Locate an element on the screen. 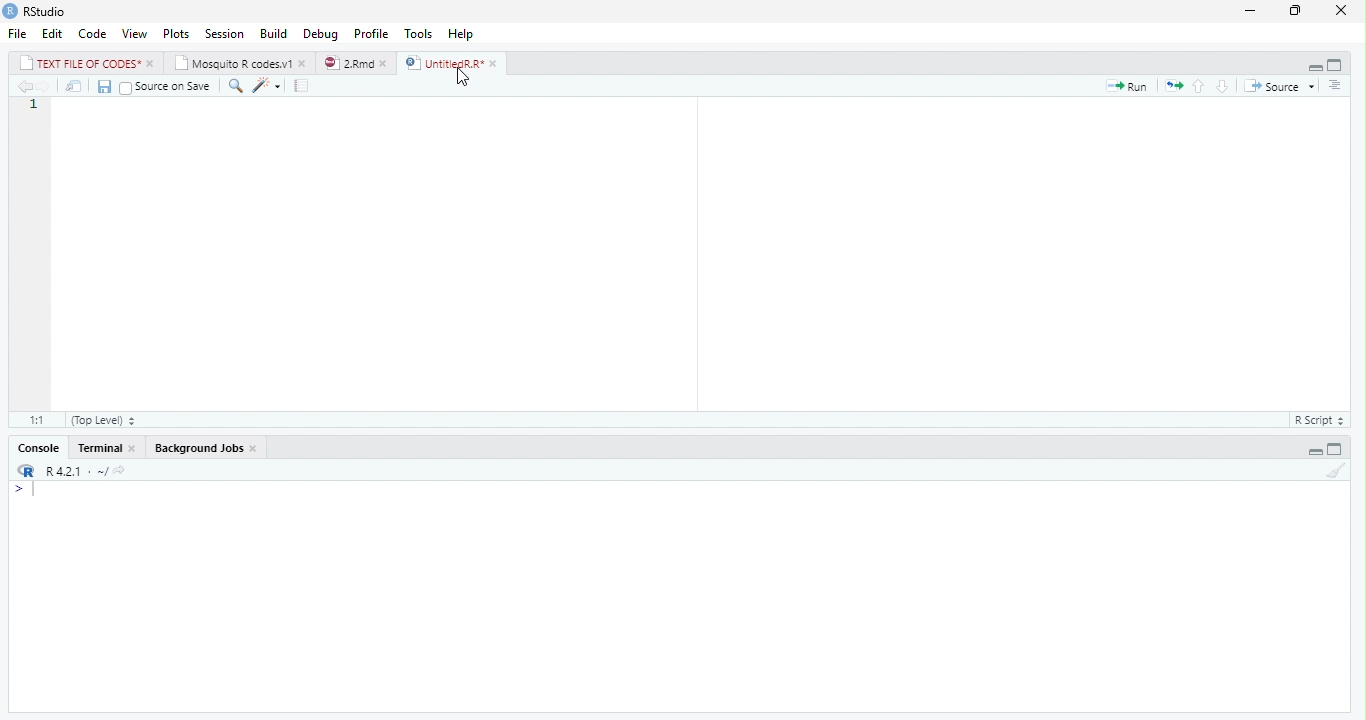  1:1 is located at coordinates (33, 420).